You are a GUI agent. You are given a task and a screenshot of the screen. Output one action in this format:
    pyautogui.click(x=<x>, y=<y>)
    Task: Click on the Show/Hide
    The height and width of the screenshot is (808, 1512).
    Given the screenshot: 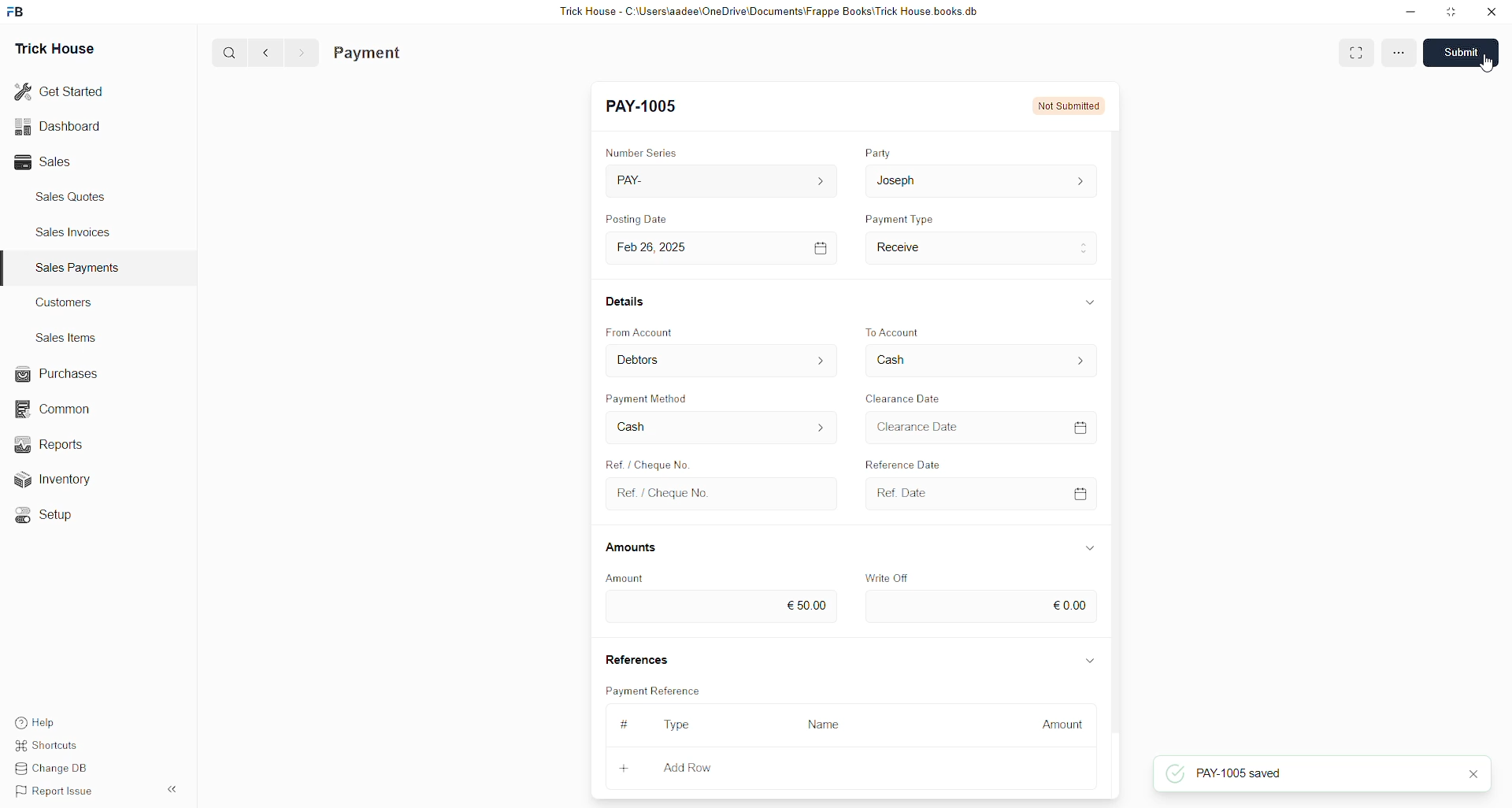 What is the action you would take?
    pyautogui.click(x=1091, y=662)
    